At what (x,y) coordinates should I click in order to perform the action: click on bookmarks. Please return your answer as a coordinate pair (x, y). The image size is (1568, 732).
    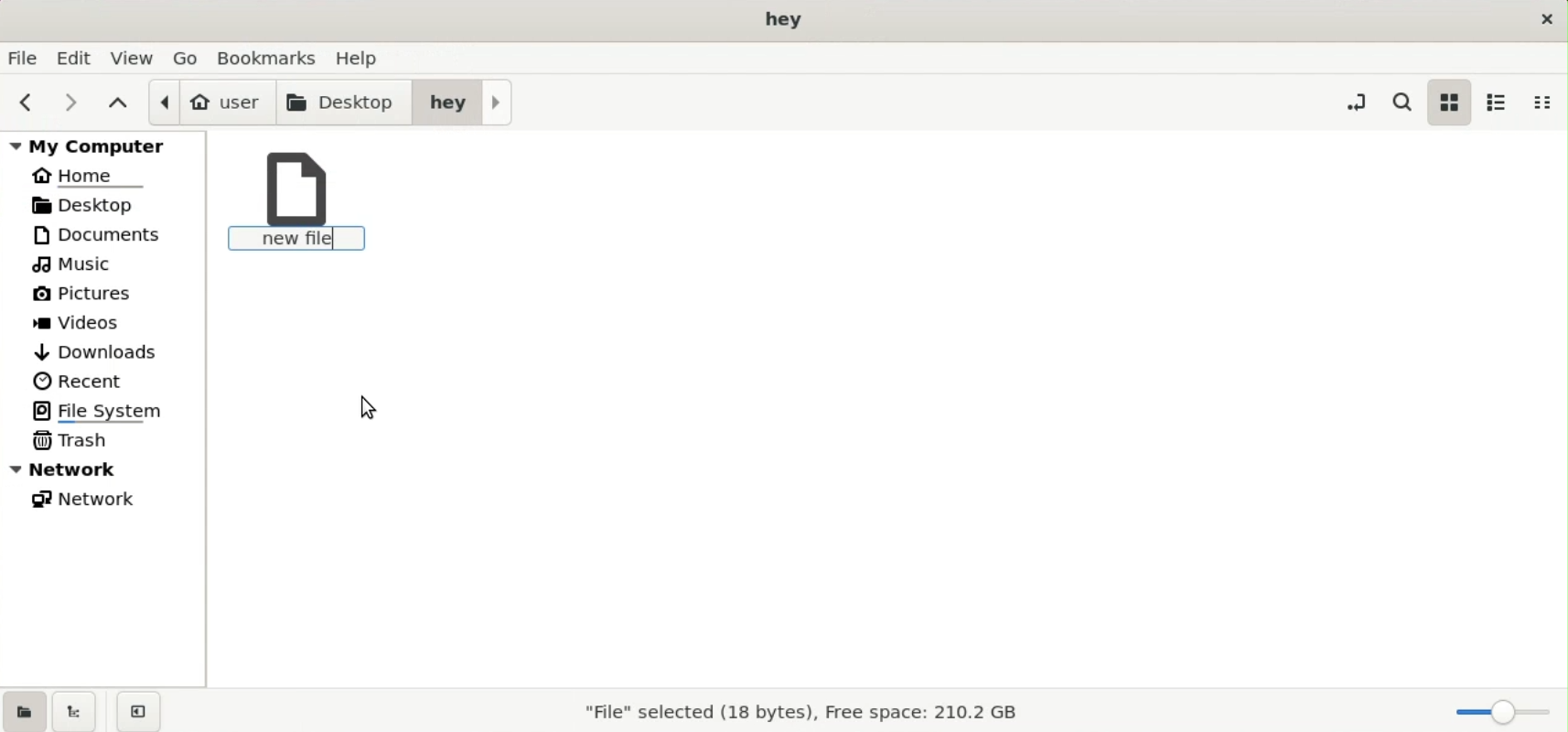
    Looking at the image, I should click on (272, 56).